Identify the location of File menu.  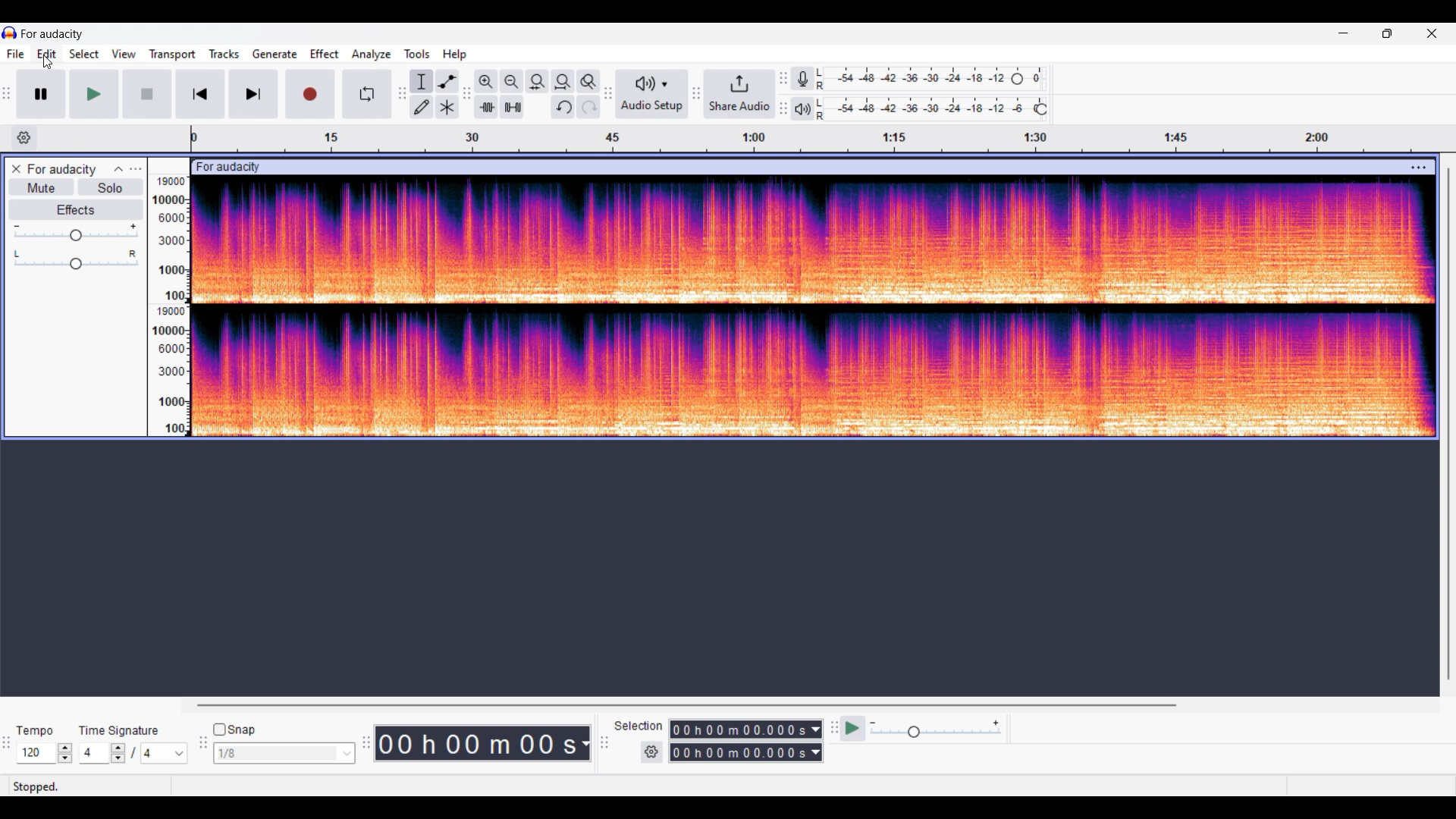
(16, 54).